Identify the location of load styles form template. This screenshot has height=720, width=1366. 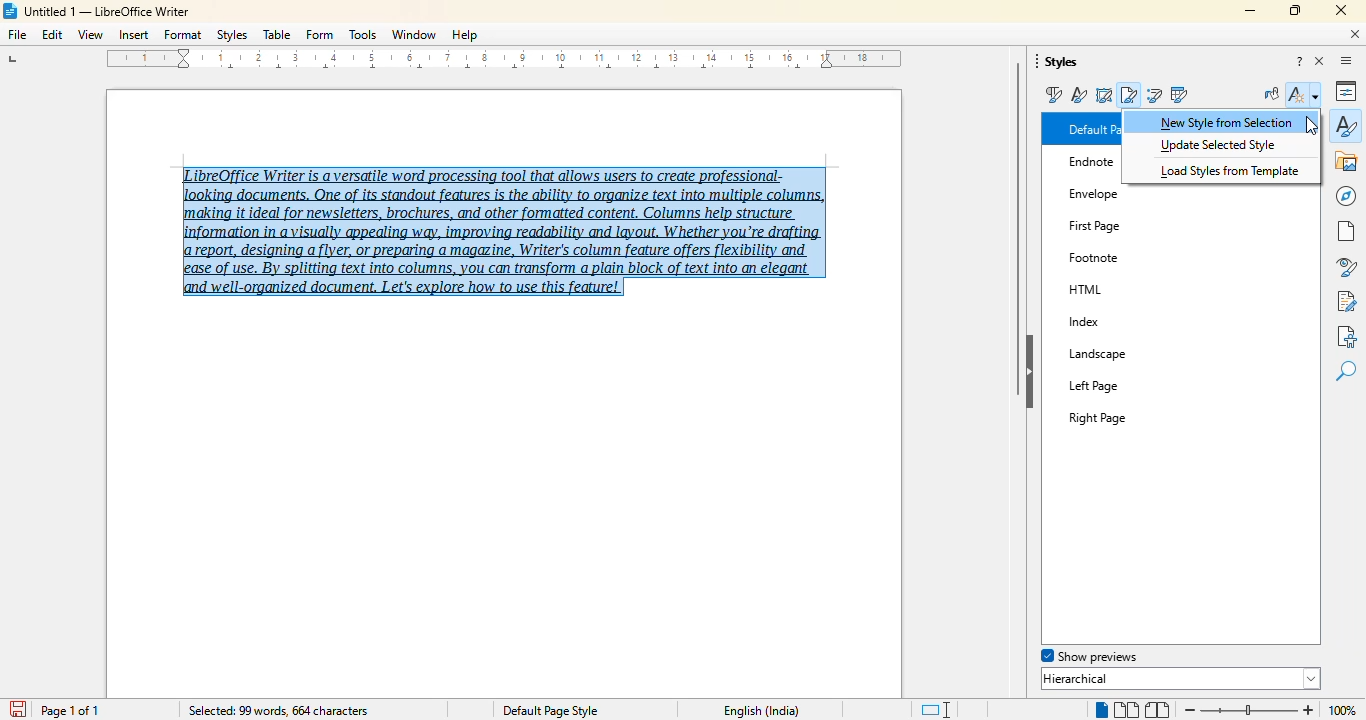
(1231, 170).